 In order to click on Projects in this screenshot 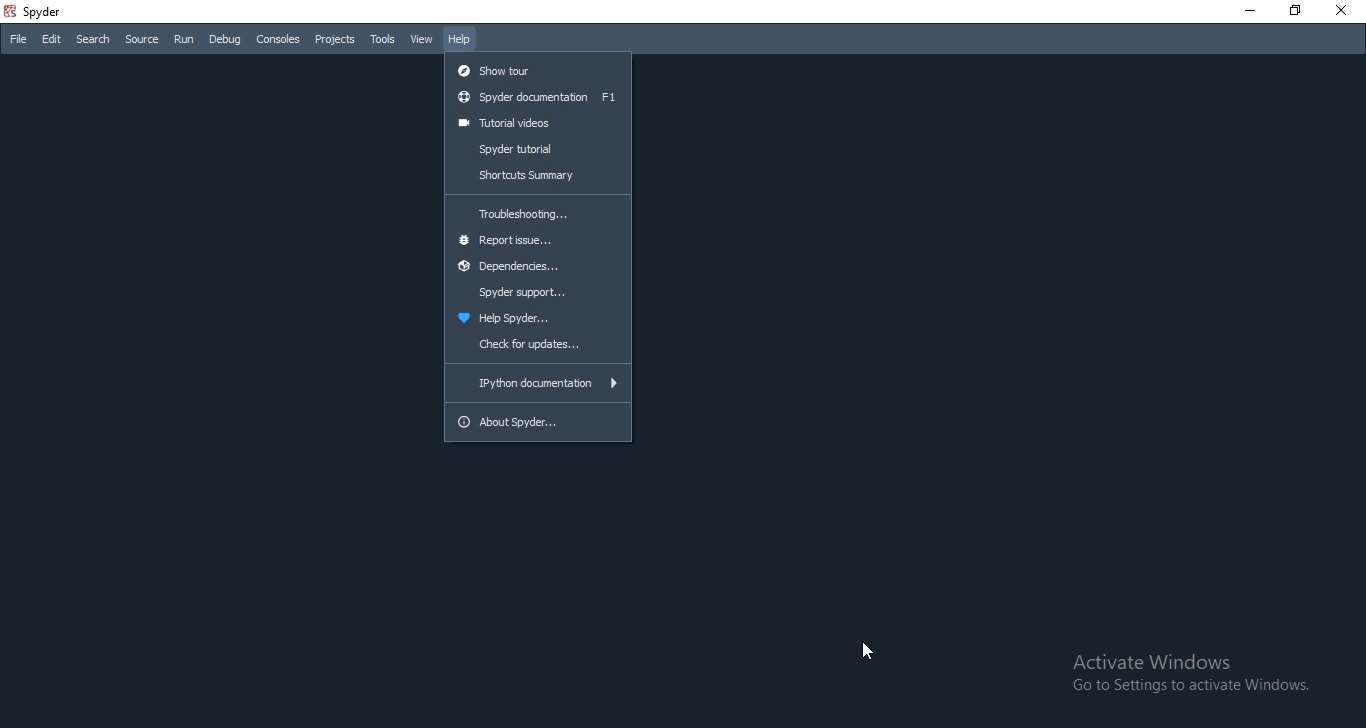, I will do `click(334, 40)`.